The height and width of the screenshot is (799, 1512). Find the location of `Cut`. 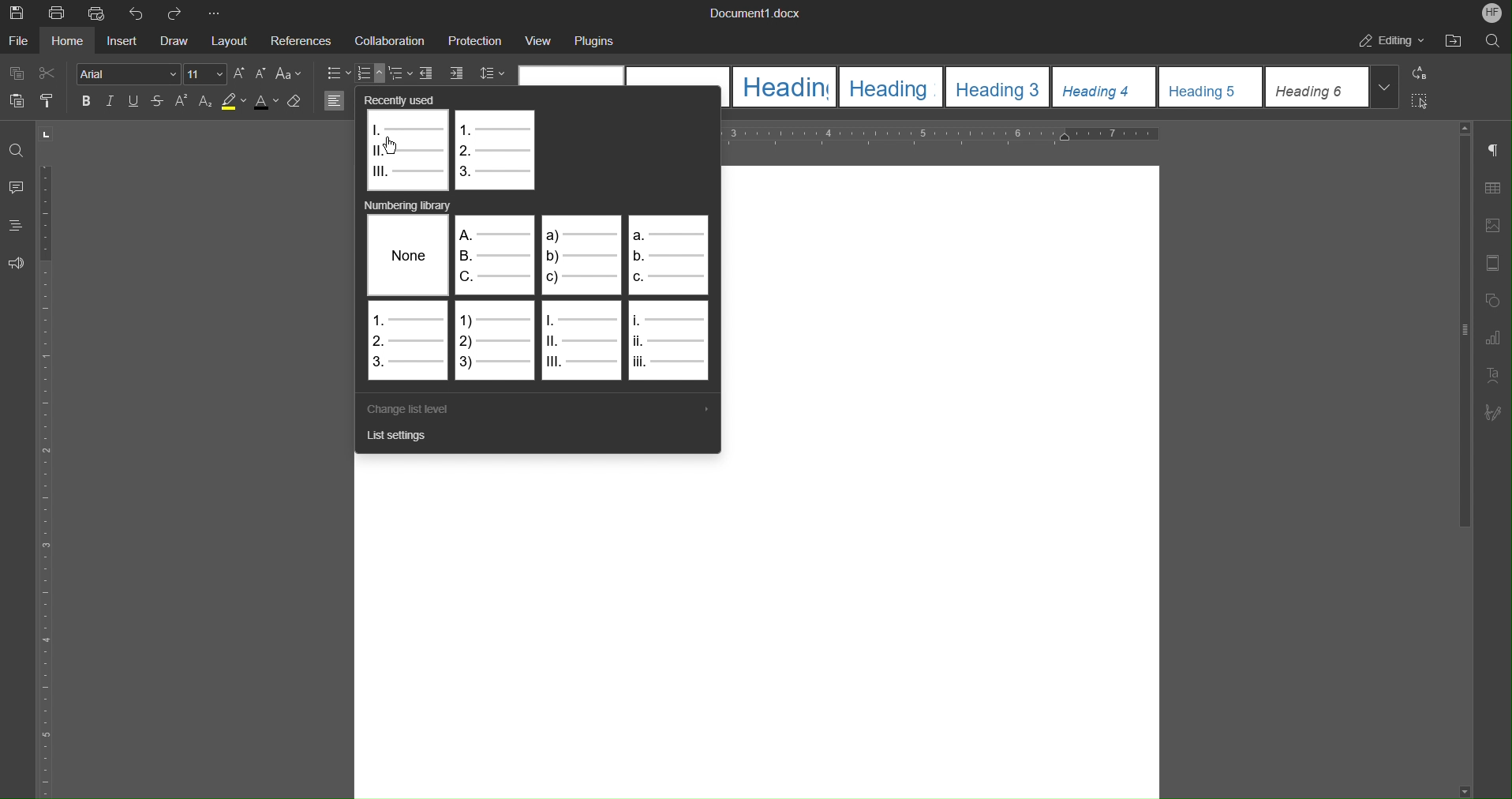

Cut is located at coordinates (47, 73).